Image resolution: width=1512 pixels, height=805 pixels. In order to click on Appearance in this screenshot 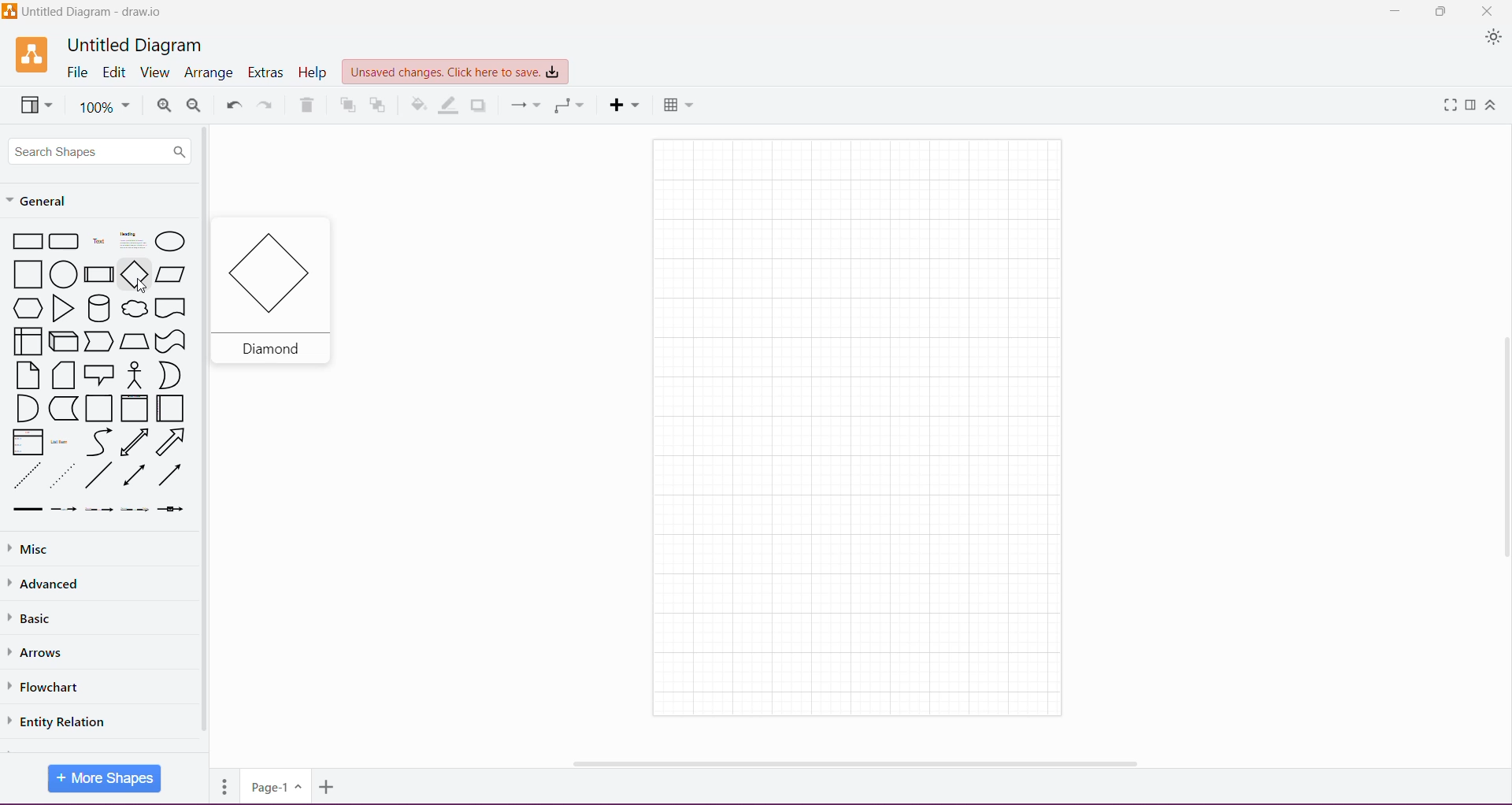, I will do `click(1494, 38)`.